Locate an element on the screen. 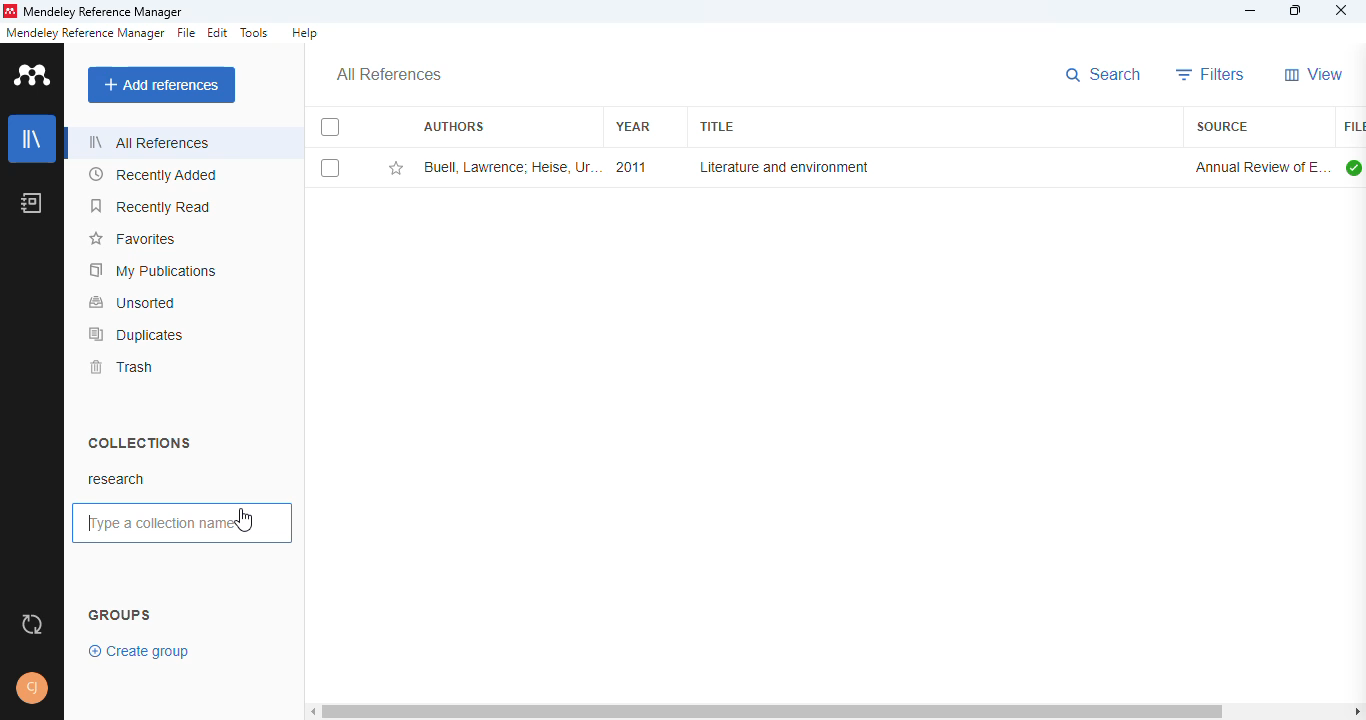 This screenshot has height=720, width=1366. create group is located at coordinates (141, 651).